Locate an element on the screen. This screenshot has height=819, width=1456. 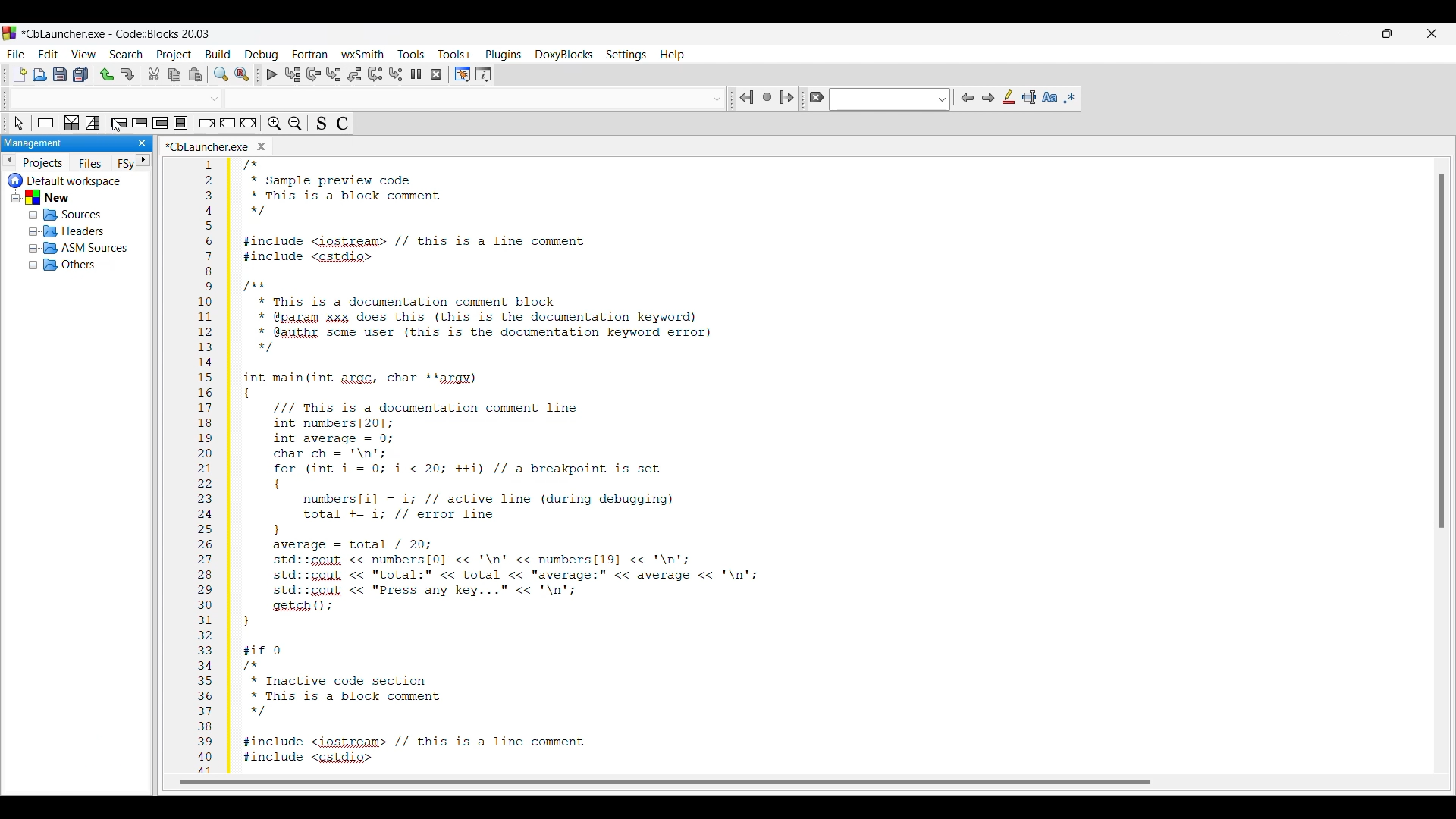
Select is located at coordinates (18, 123).